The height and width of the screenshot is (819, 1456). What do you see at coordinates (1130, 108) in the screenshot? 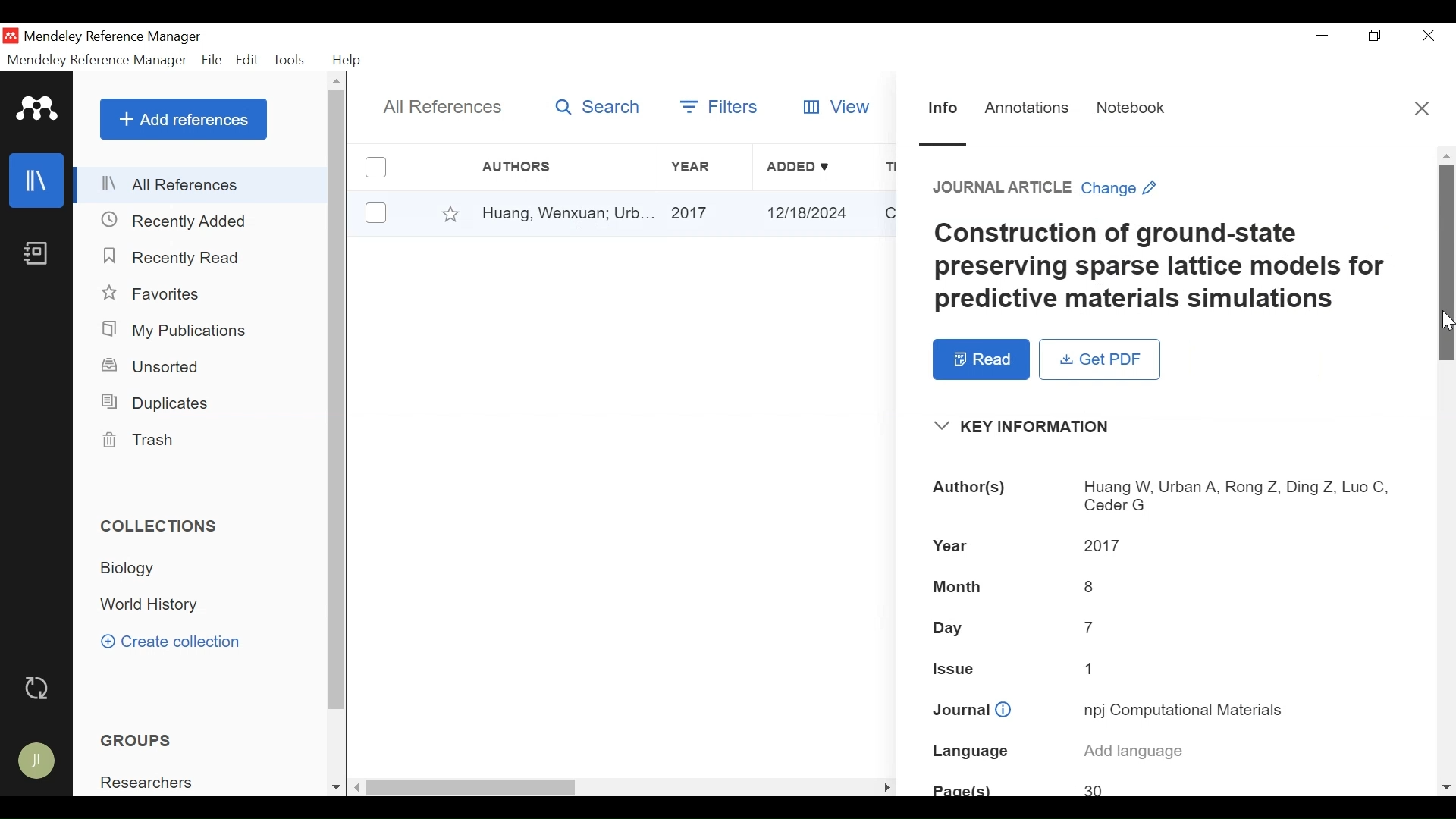
I see `Notebook` at bounding box center [1130, 108].